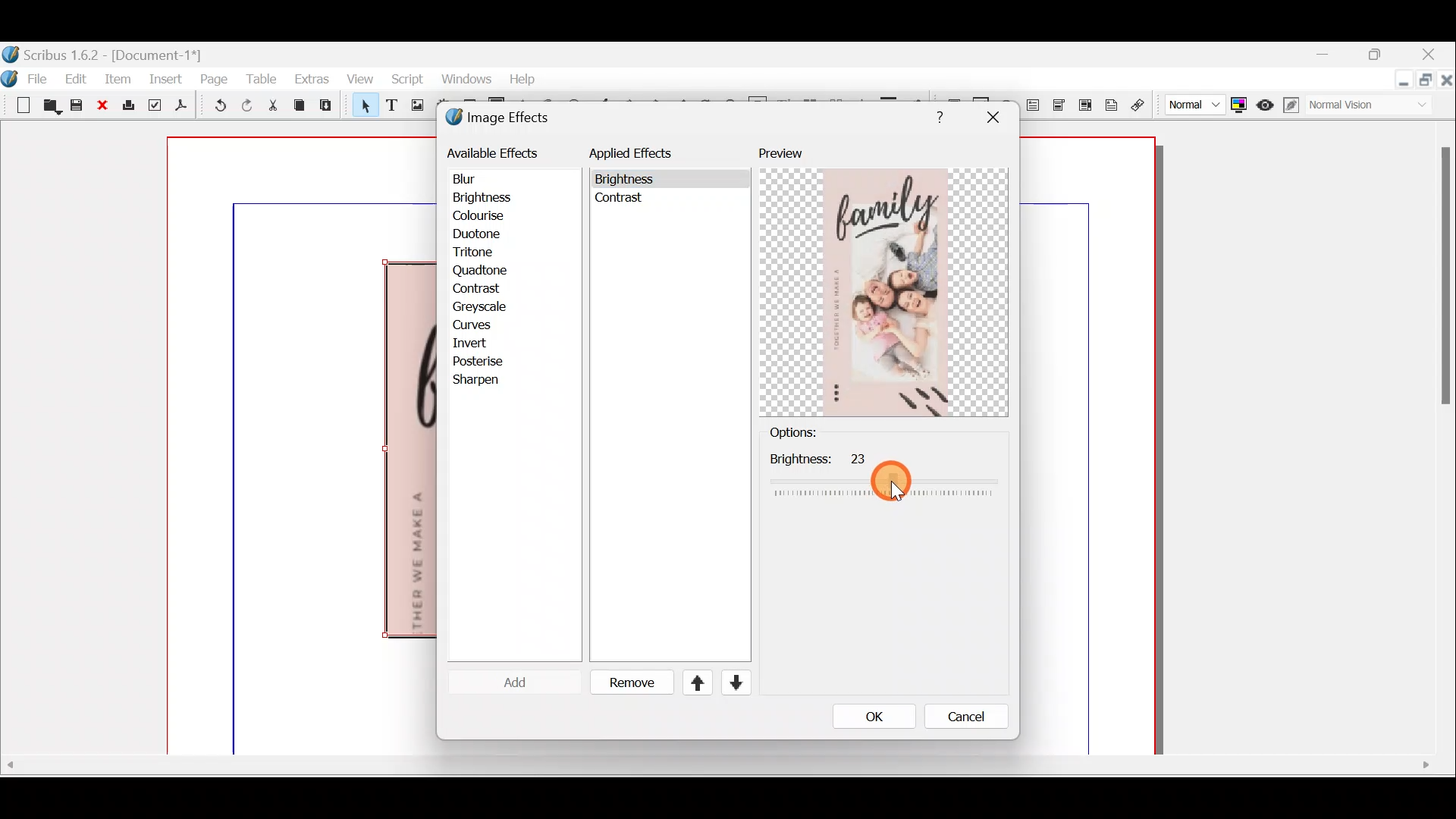  Describe the element at coordinates (246, 105) in the screenshot. I see `Redo` at that location.